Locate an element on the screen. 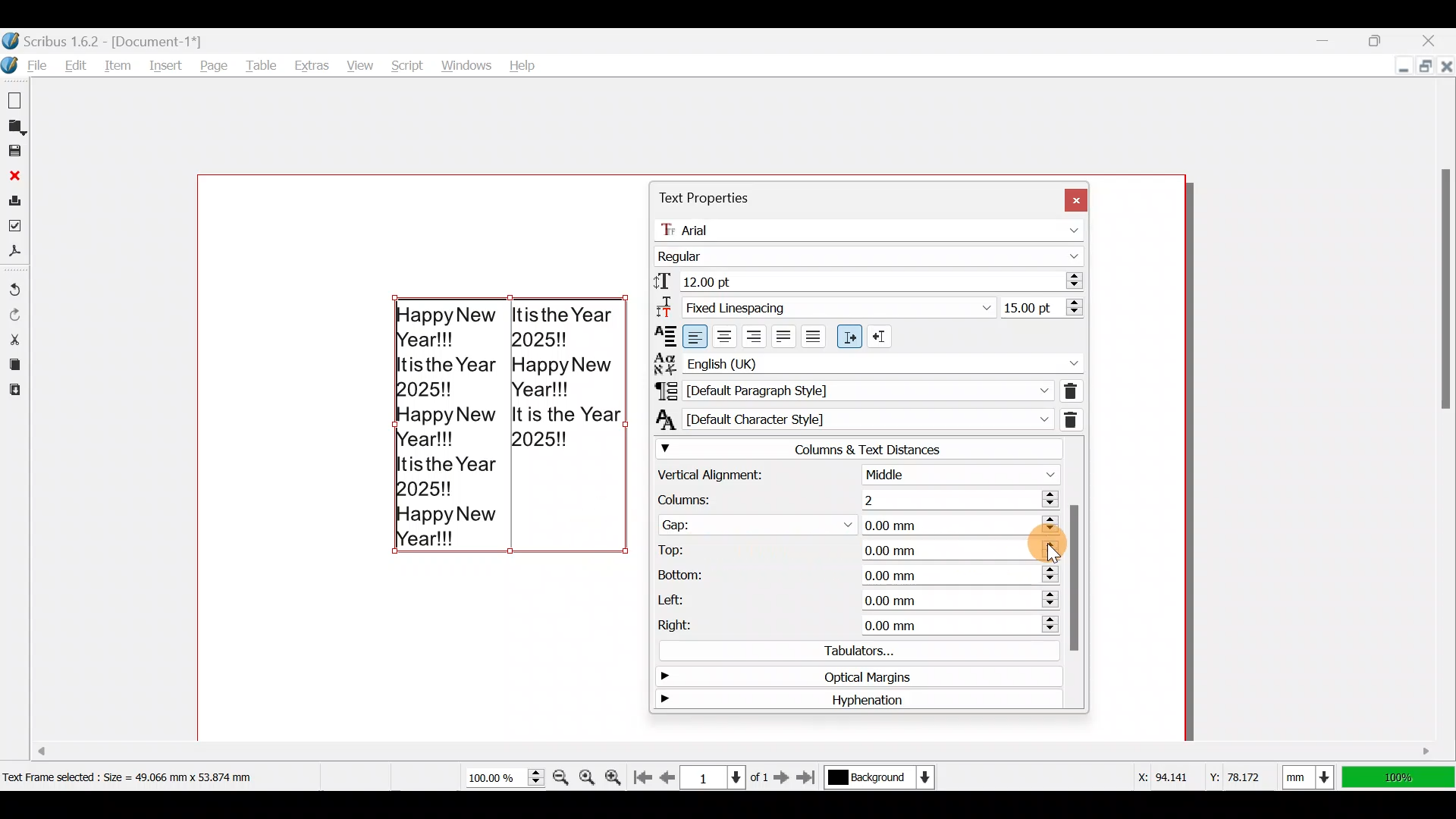  Align text justified is located at coordinates (786, 334).